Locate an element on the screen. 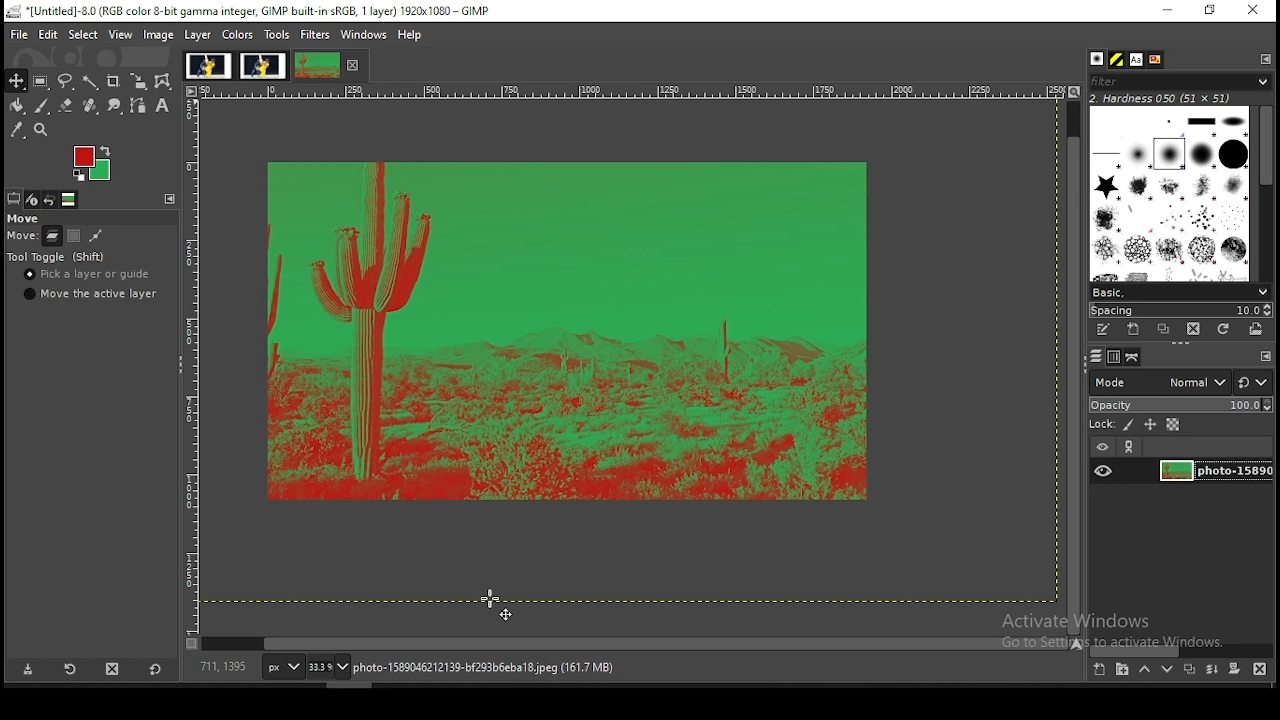  mask layer is located at coordinates (1234, 670).